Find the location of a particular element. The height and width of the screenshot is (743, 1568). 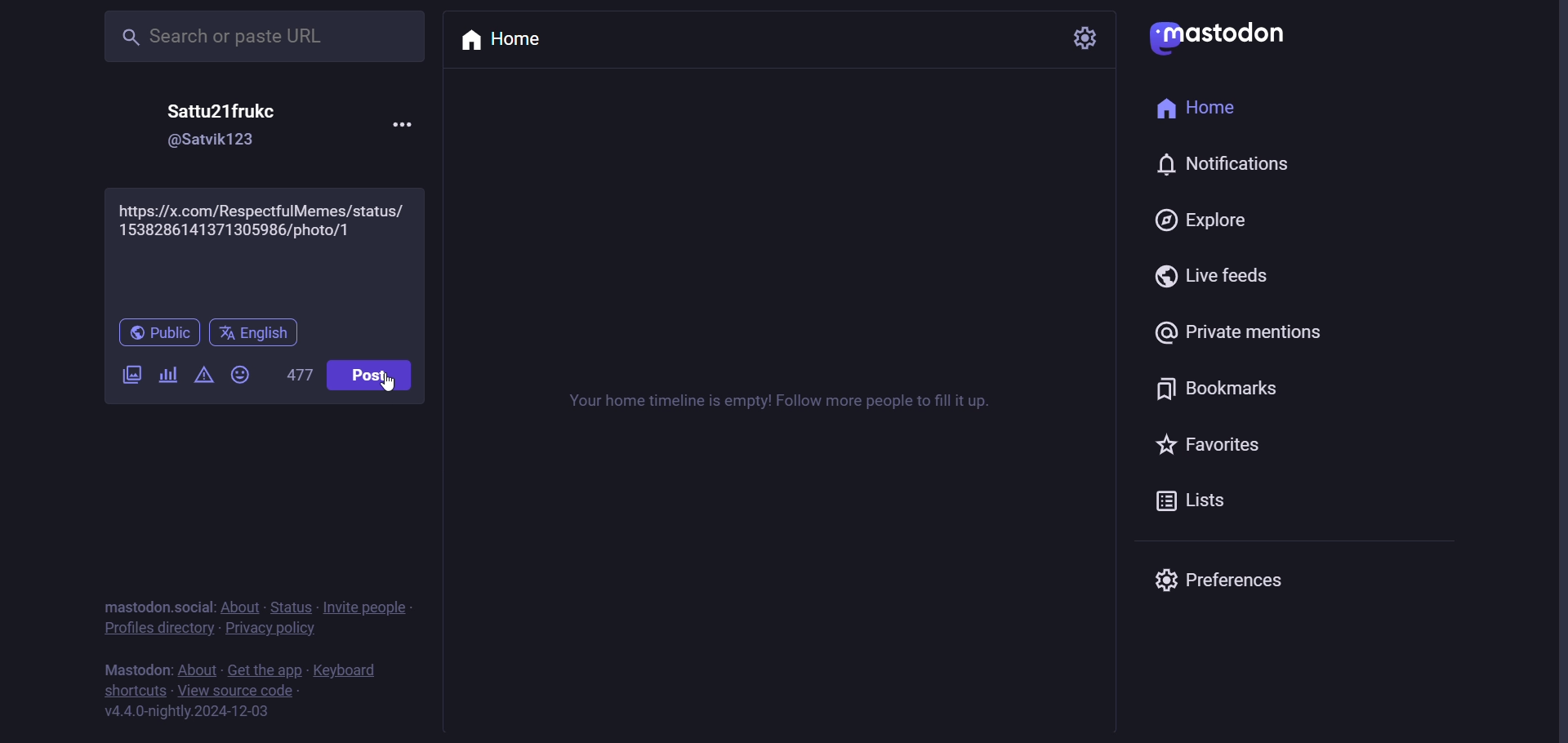

live feeds is located at coordinates (1206, 276).